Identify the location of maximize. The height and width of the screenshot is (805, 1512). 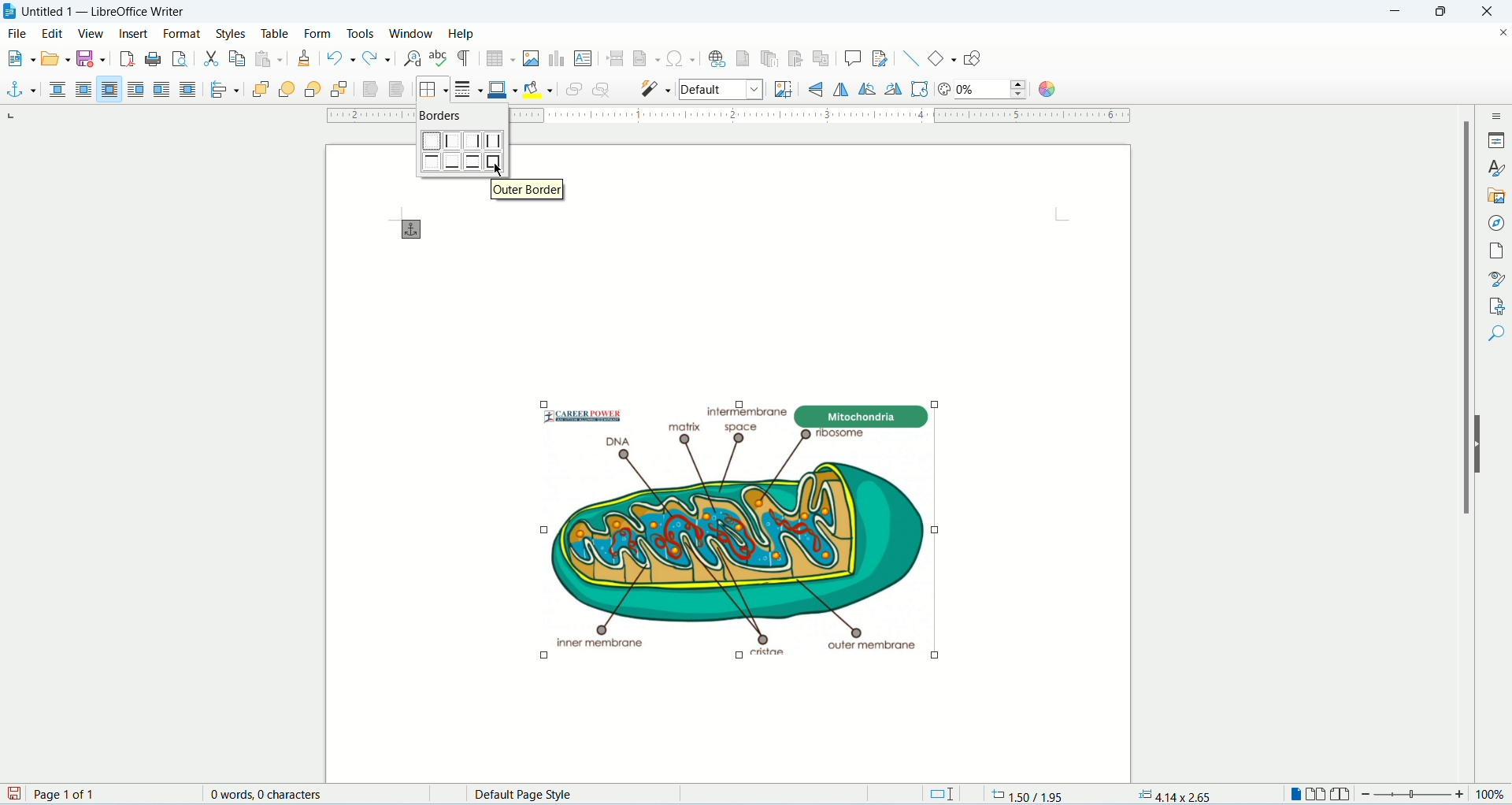
(1444, 12).